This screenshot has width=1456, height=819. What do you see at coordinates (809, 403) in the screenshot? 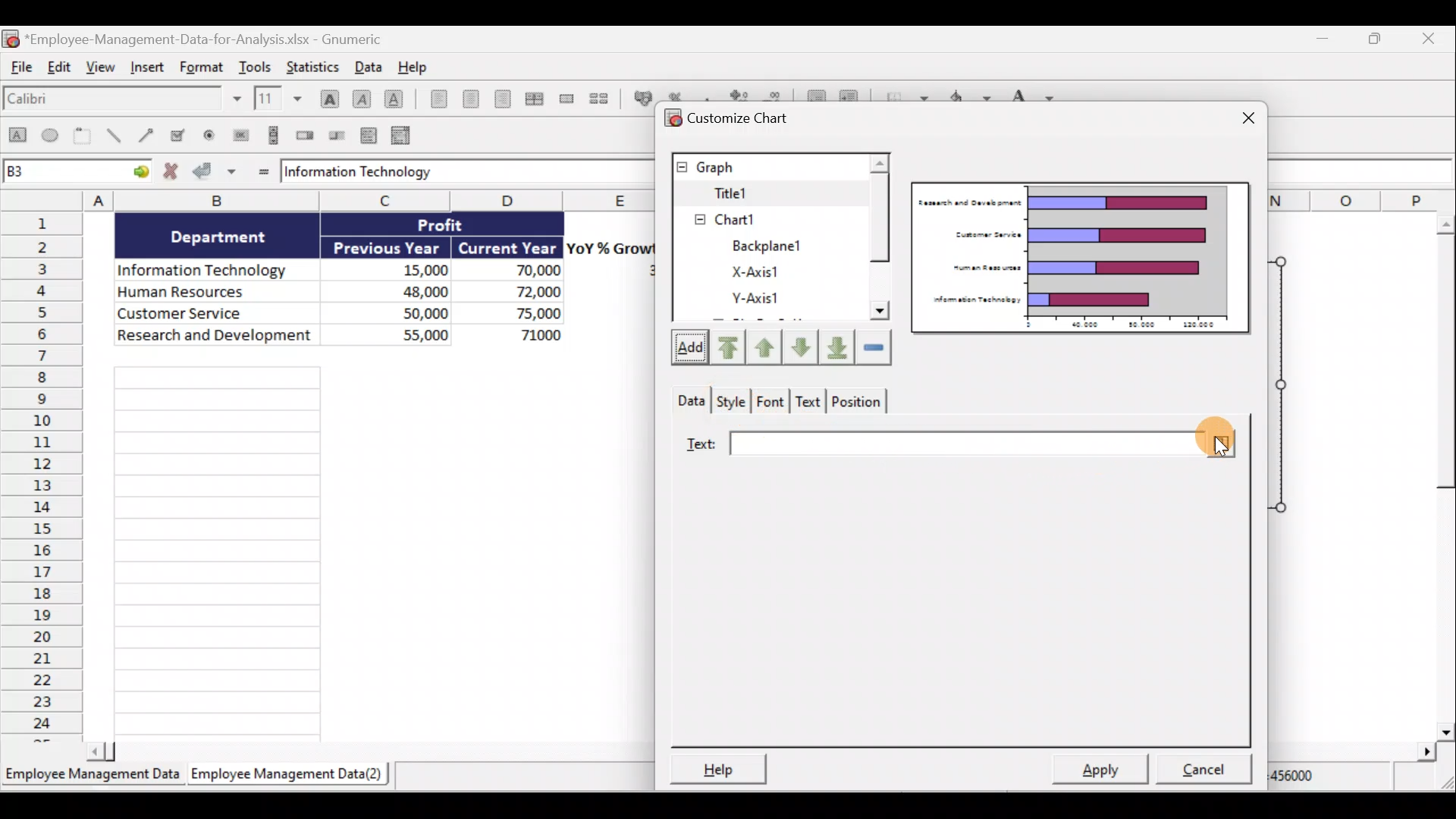
I see `Text` at bounding box center [809, 403].